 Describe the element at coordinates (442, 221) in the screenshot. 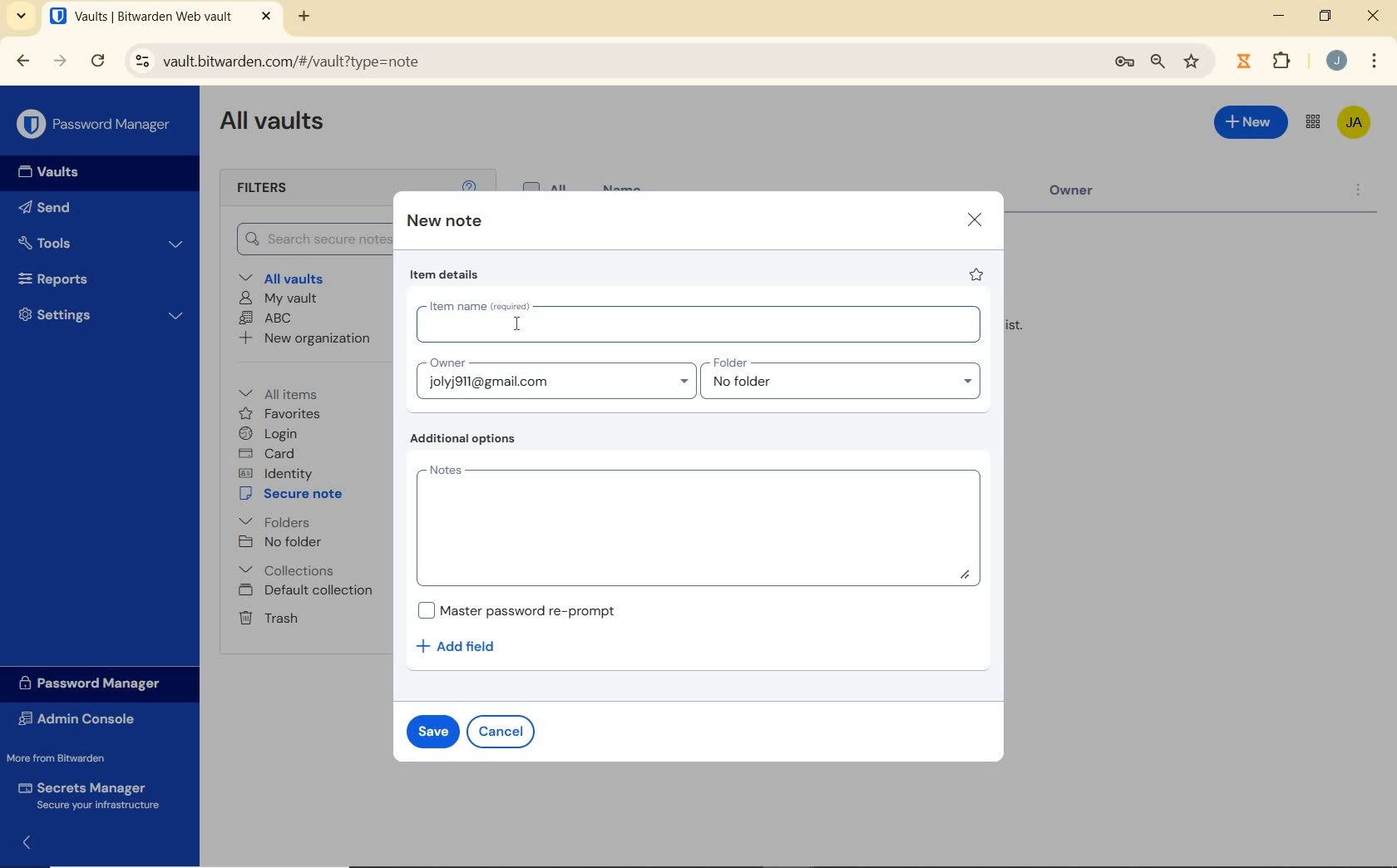

I see `new note` at that location.